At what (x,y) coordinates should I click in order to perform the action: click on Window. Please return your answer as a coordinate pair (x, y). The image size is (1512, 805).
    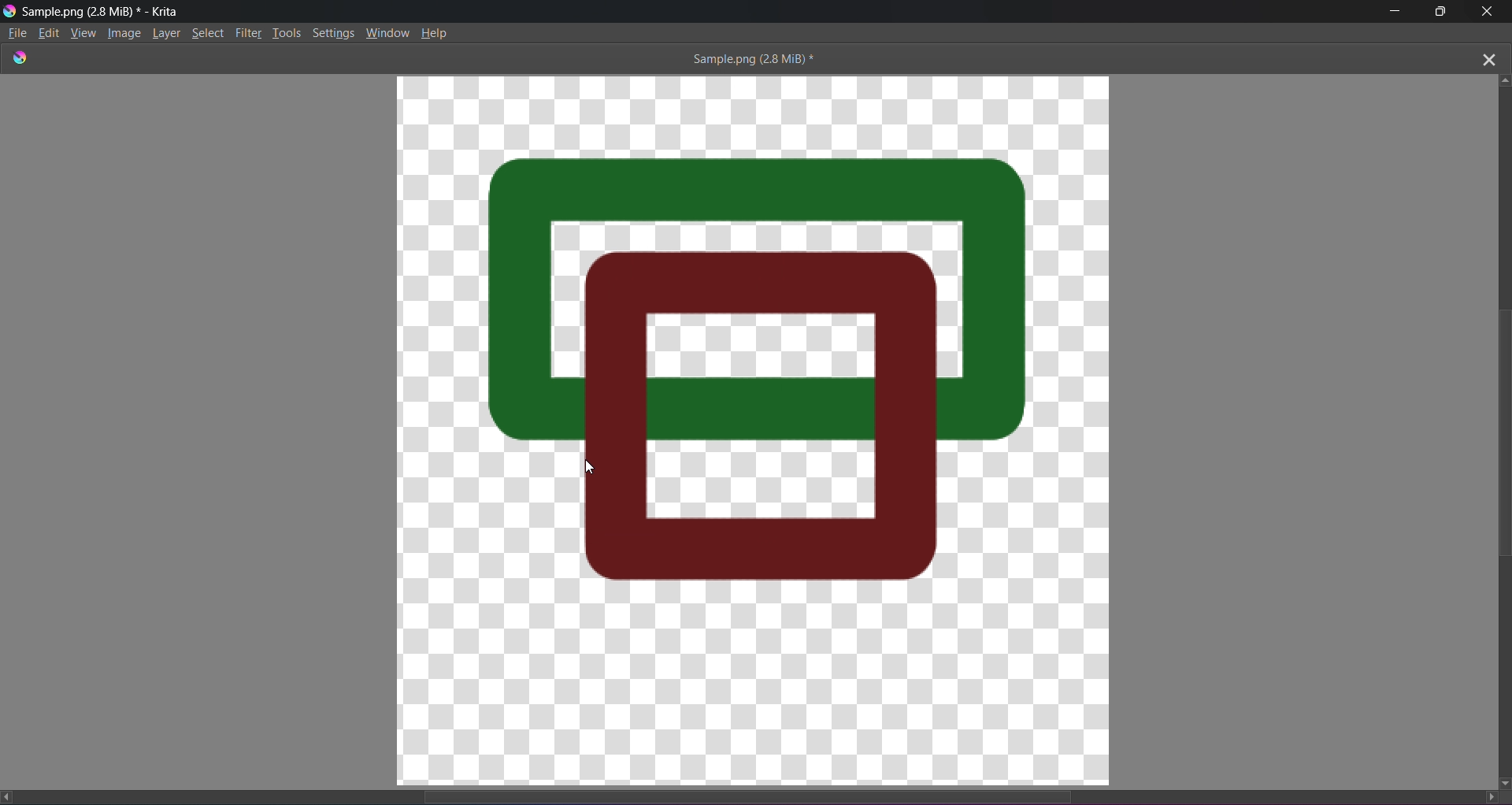
    Looking at the image, I should click on (388, 31).